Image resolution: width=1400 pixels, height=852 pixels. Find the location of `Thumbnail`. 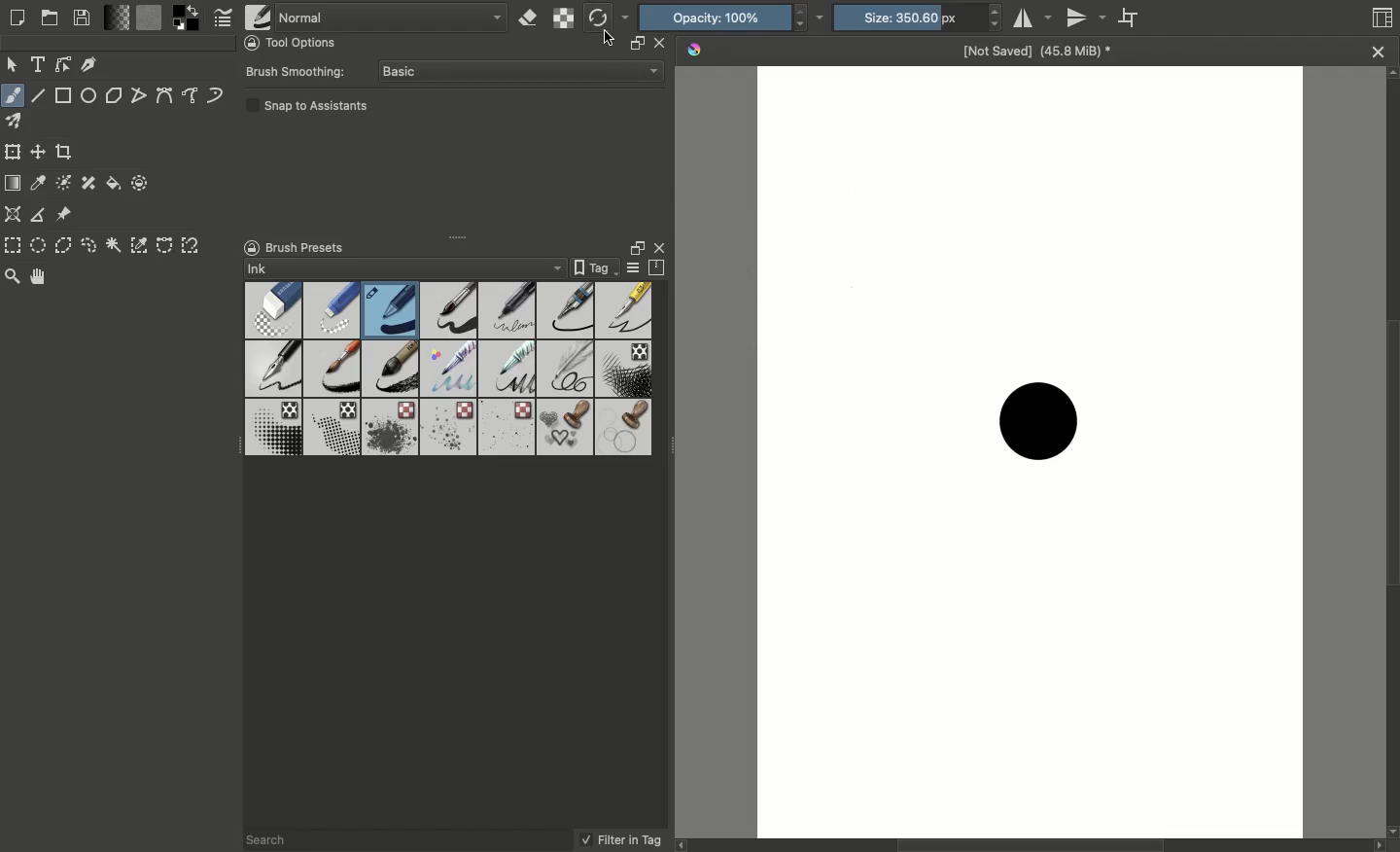

Thumbnail is located at coordinates (1383, 19).